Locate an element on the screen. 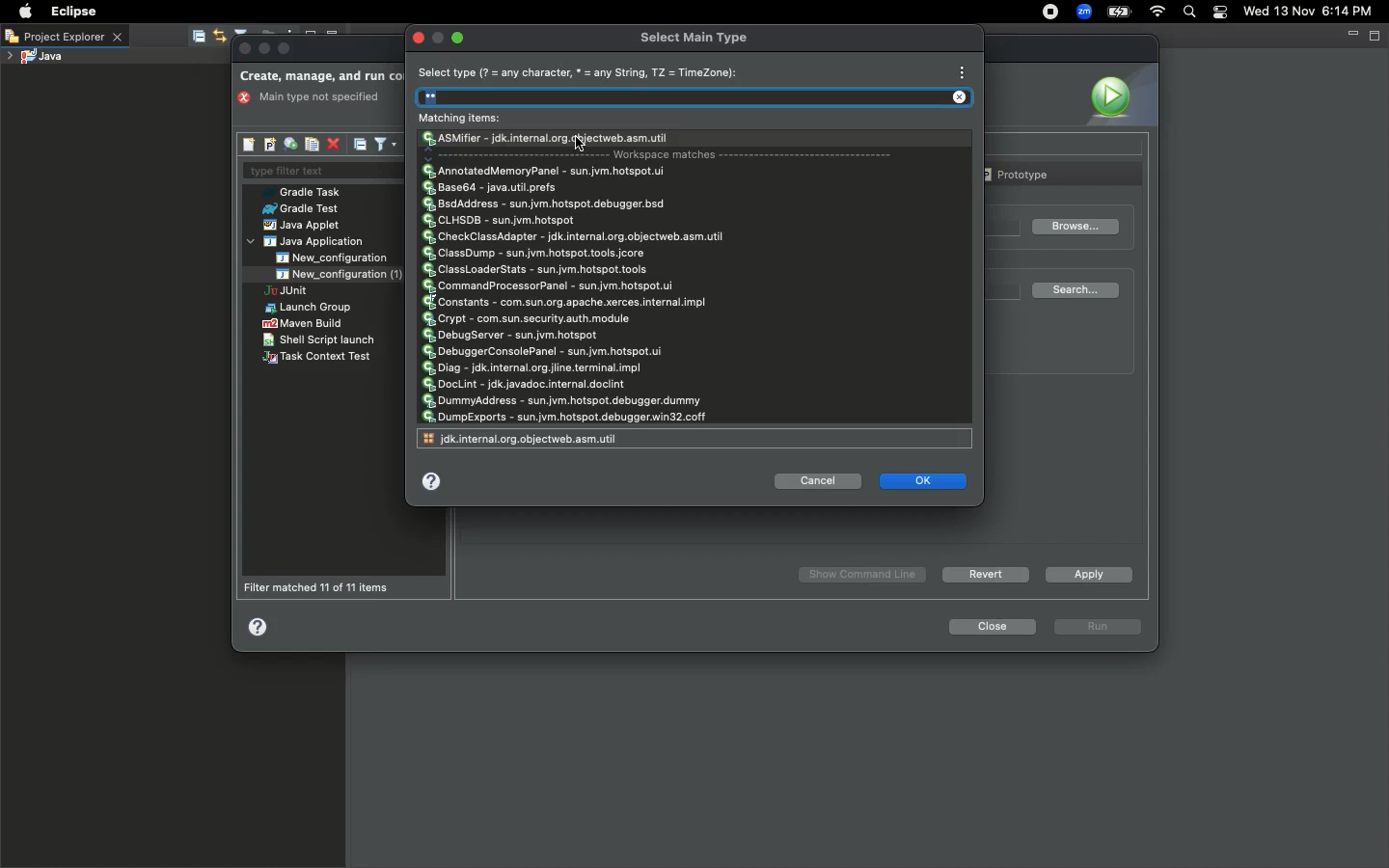 The width and height of the screenshot is (1389, 868). Java project is located at coordinates (34, 58).